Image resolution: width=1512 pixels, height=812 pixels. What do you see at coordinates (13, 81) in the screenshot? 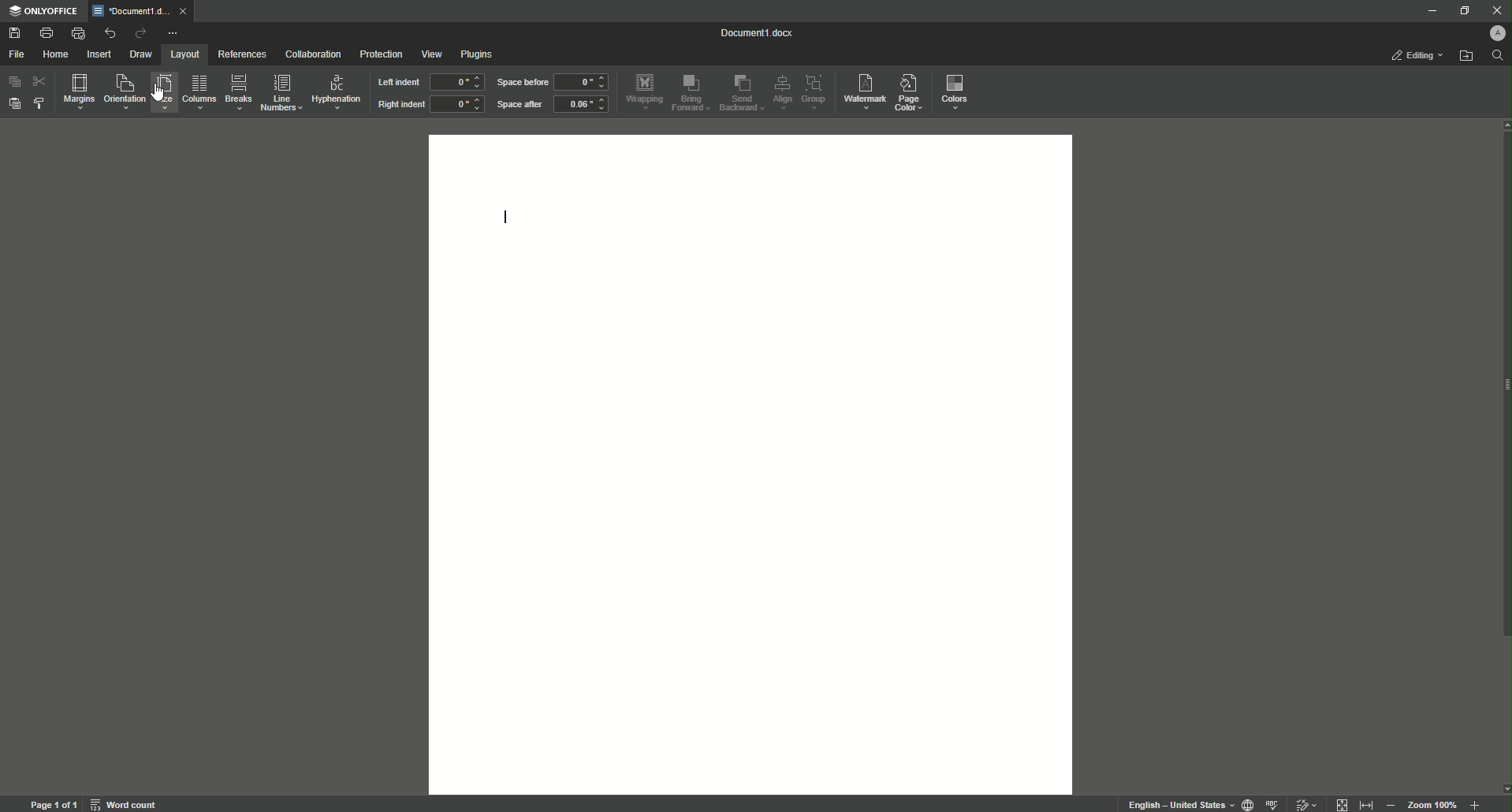
I see `Copy` at bounding box center [13, 81].